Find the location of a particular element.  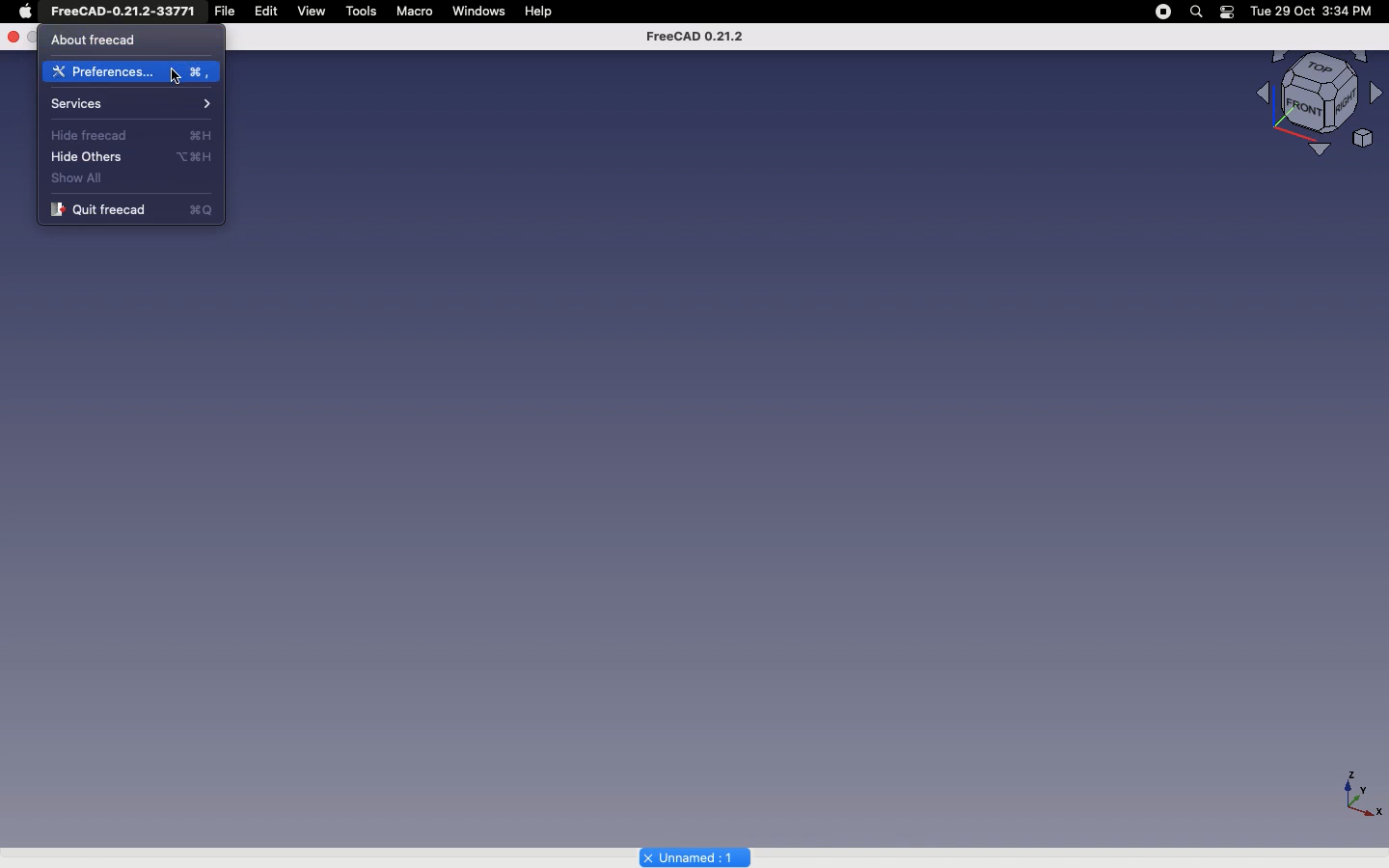

Help is located at coordinates (542, 11).